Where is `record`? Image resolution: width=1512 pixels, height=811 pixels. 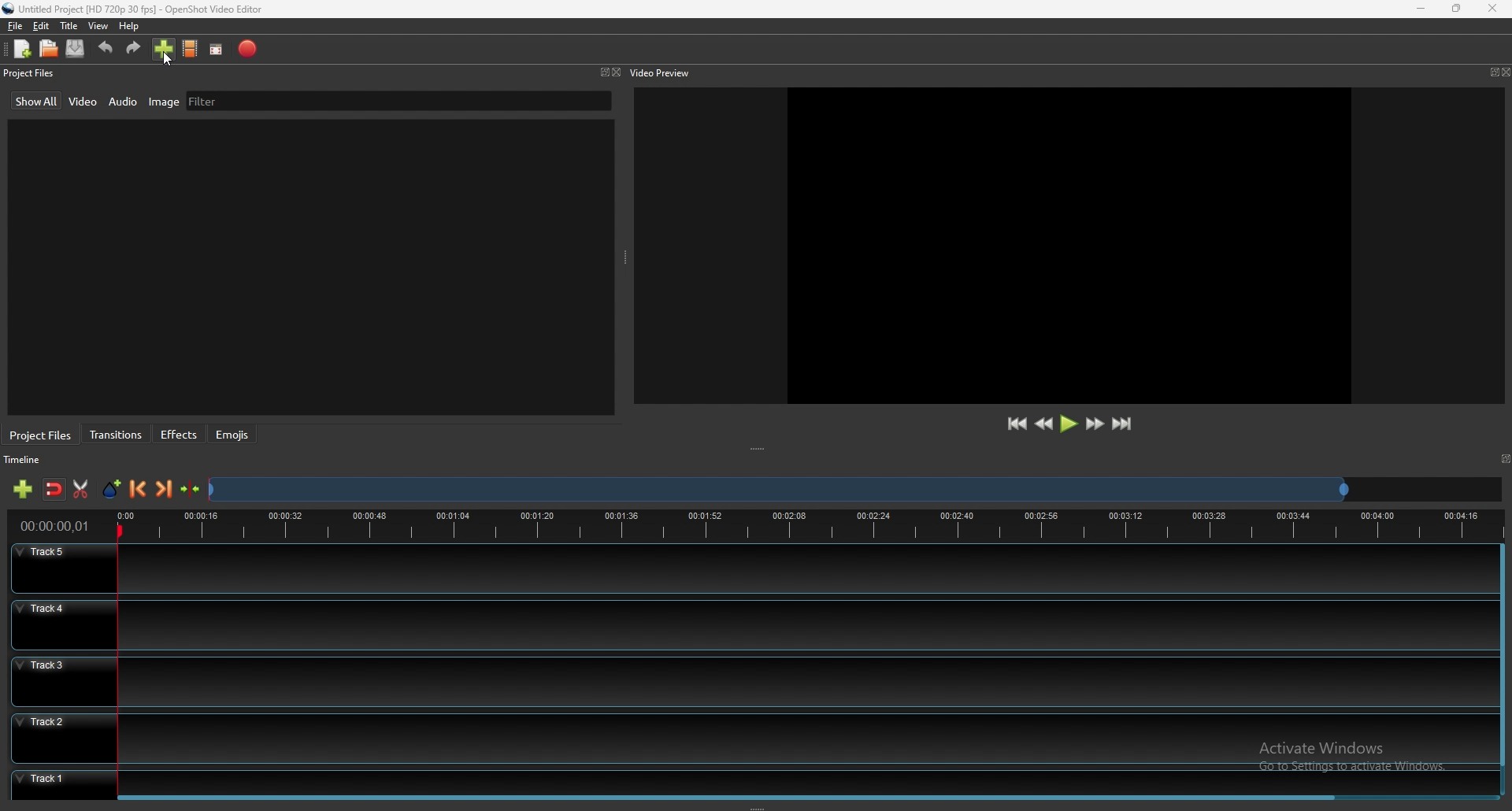 record is located at coordinates (250, 48).